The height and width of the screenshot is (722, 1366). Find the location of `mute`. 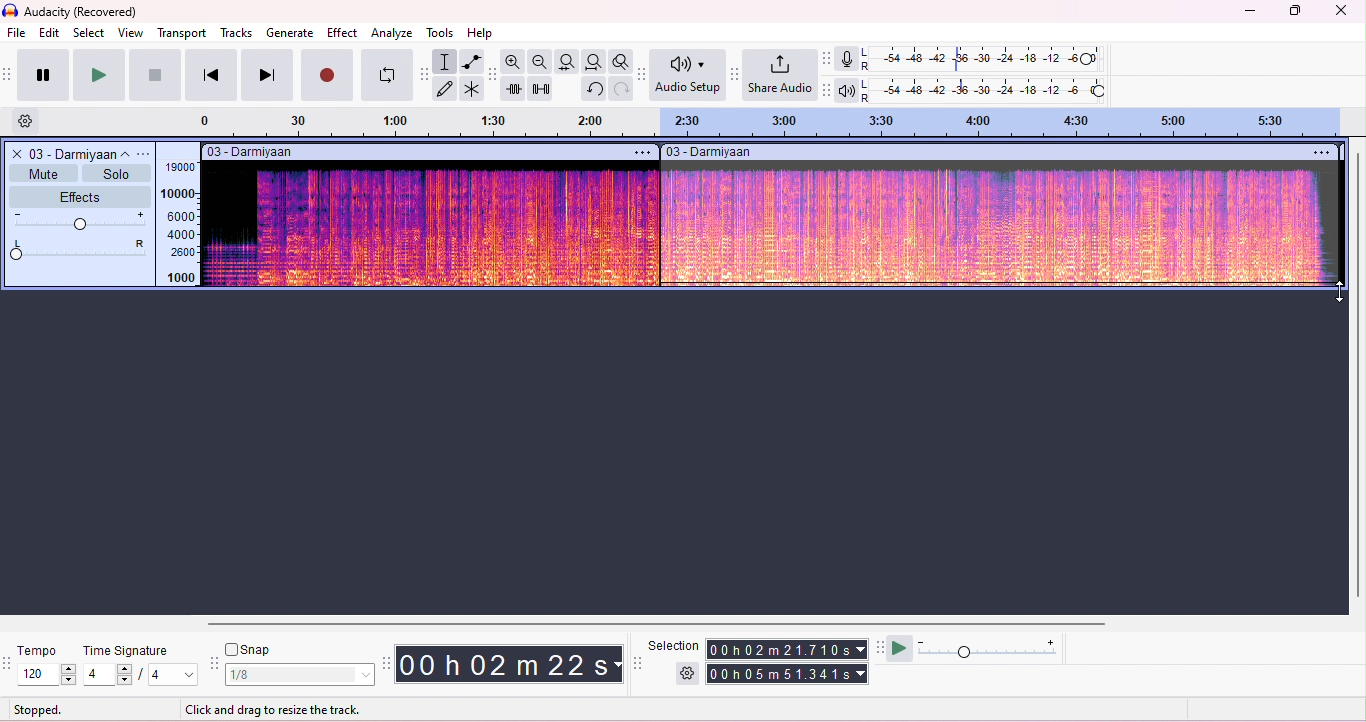

mute is located at coordinates (42, 173).